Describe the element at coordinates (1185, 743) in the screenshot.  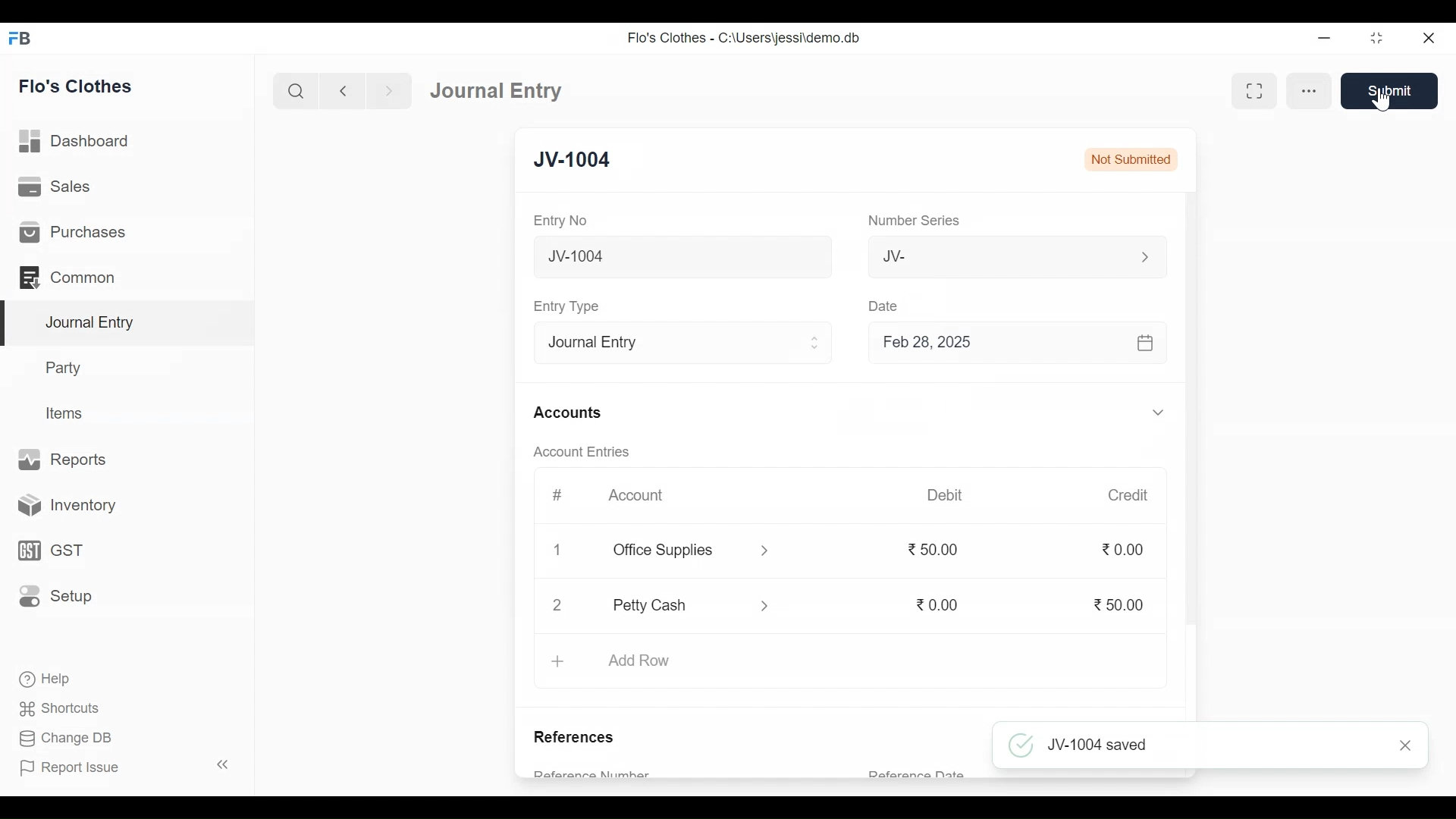
I see `JV-1004 saved` at that location.